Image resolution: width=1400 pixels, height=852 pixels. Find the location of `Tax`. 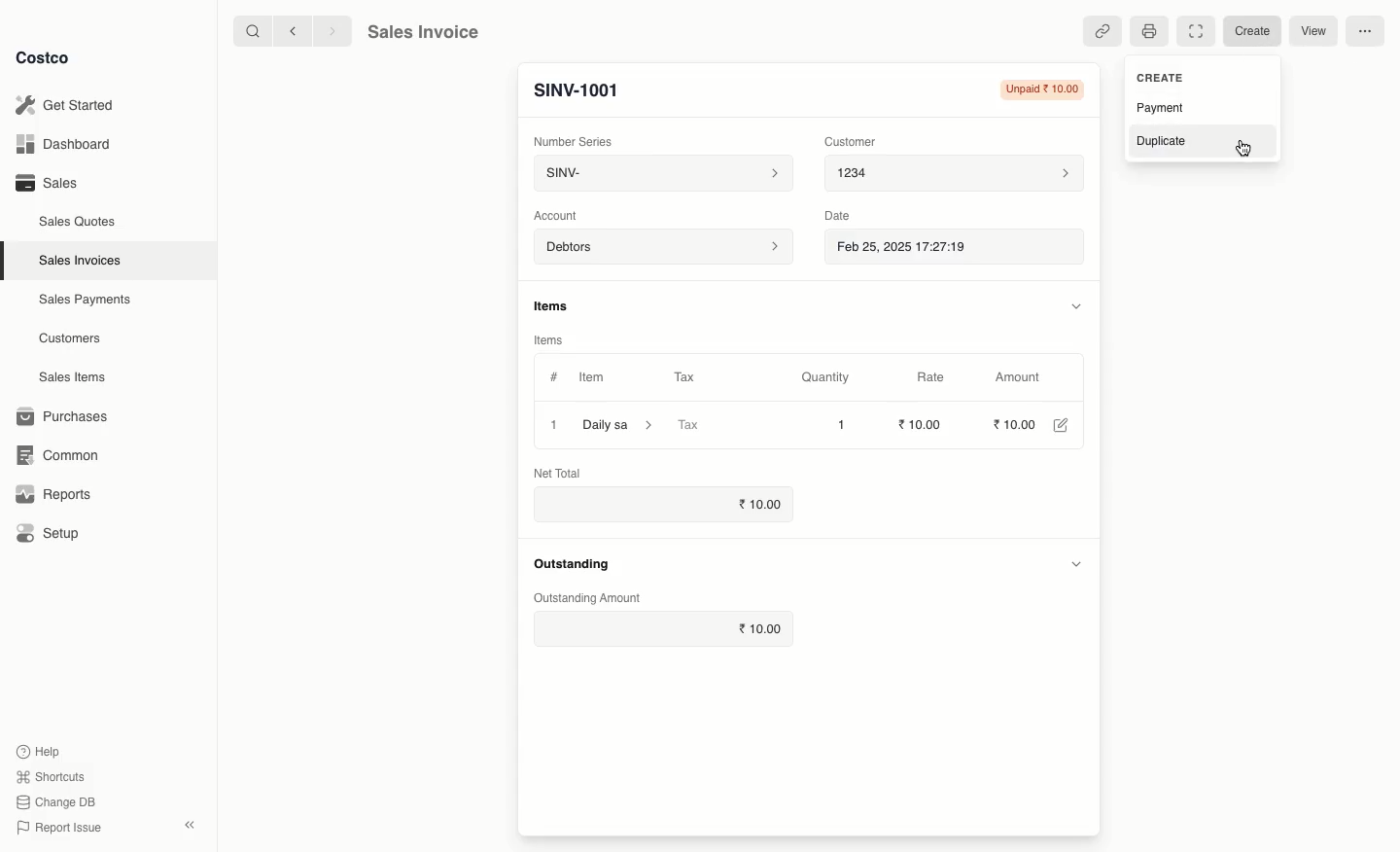

Tax is located at coordinates (684, 375).